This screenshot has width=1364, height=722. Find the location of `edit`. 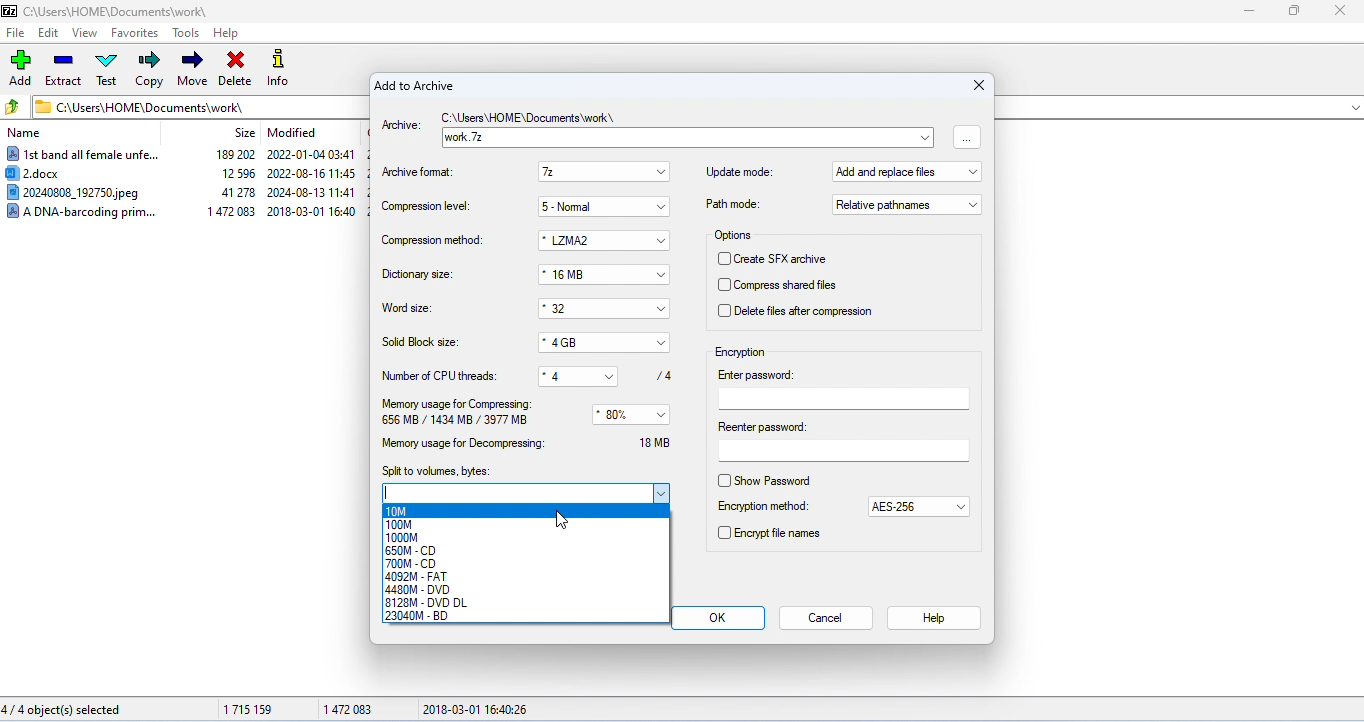

edit is located at coordinates (49, 33).